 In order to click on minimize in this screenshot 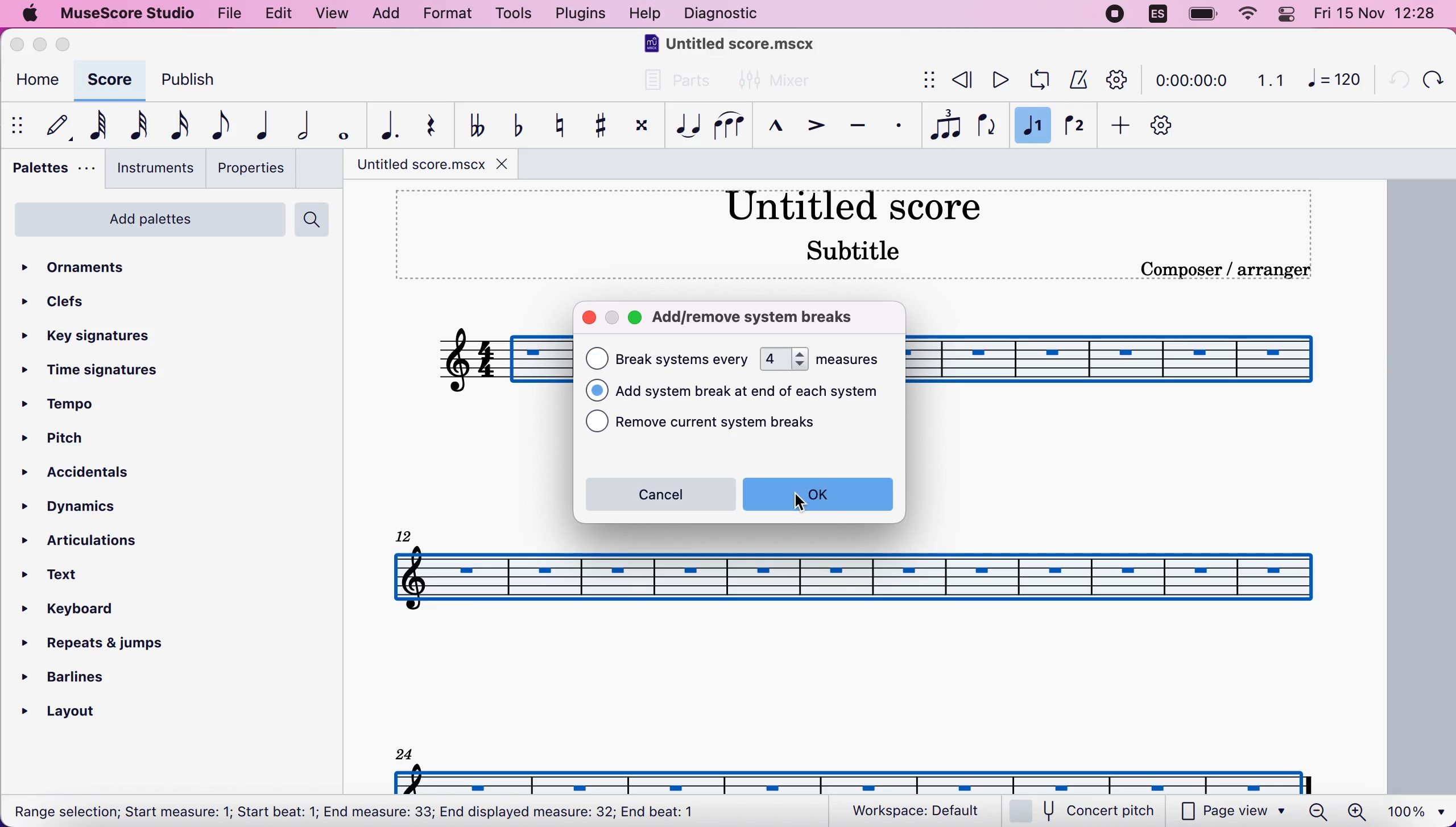, I will do `click(40, 44)`.